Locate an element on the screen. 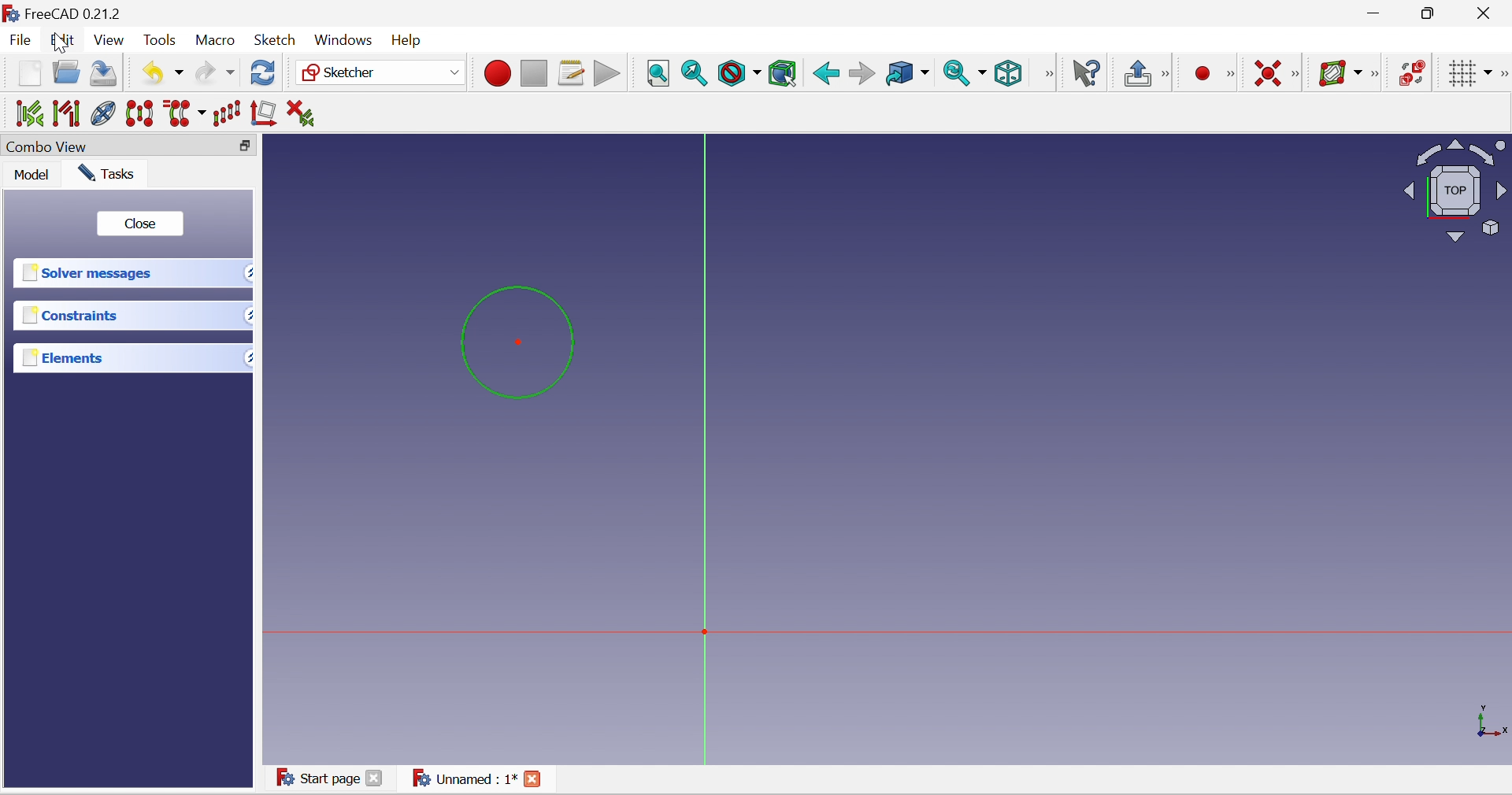 The width and height of the screenshot is (1512, 795). FreeCAD 0.21.2 is located at coordinates (70, 13).